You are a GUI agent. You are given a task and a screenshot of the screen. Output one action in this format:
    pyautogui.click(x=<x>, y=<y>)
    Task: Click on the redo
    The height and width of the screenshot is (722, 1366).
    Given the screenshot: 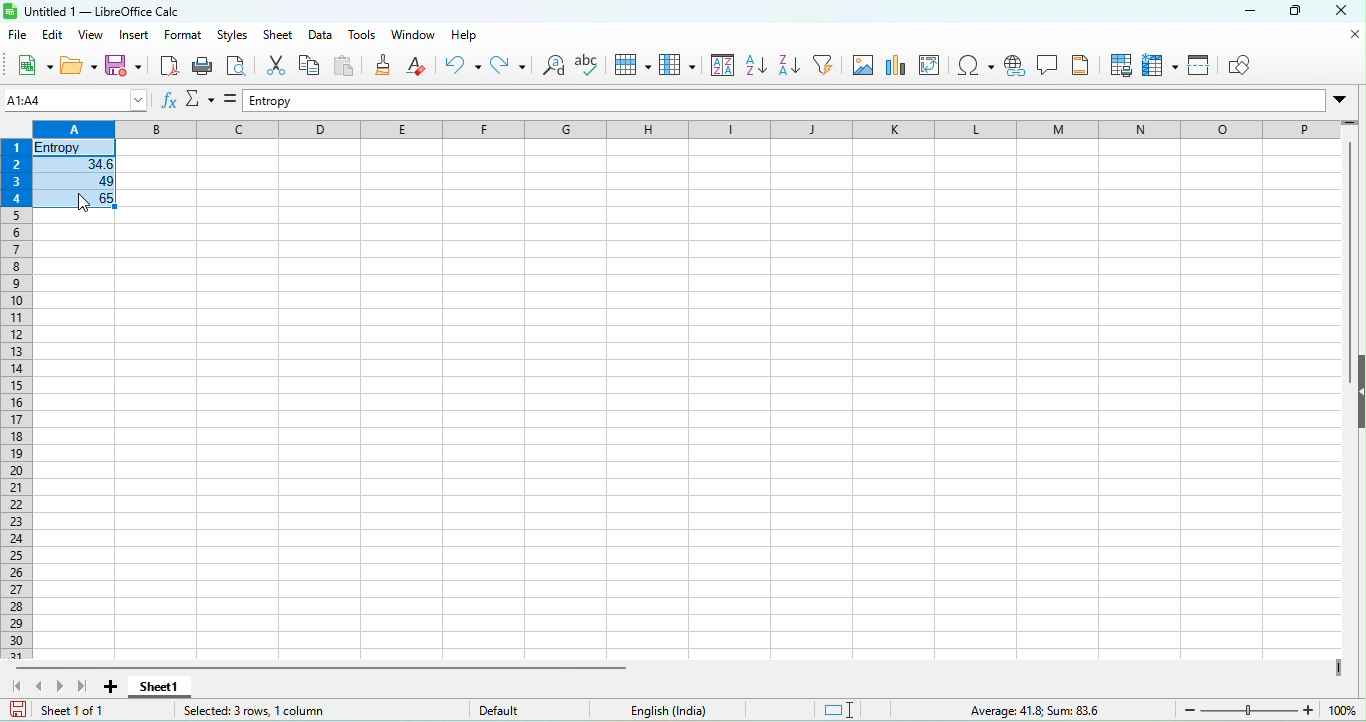 What is the action you would take?
    pyautogui.click(x=508, y=69)
    